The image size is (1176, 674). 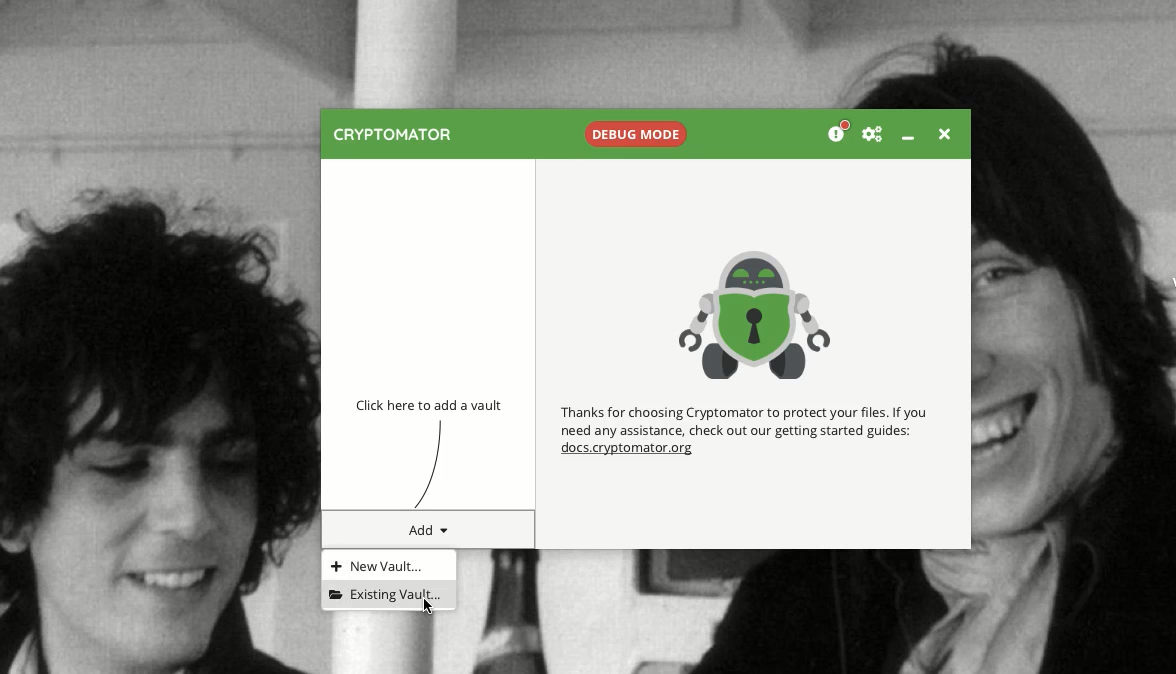 I want to click on Existing vault, so click(x=386, y=592).